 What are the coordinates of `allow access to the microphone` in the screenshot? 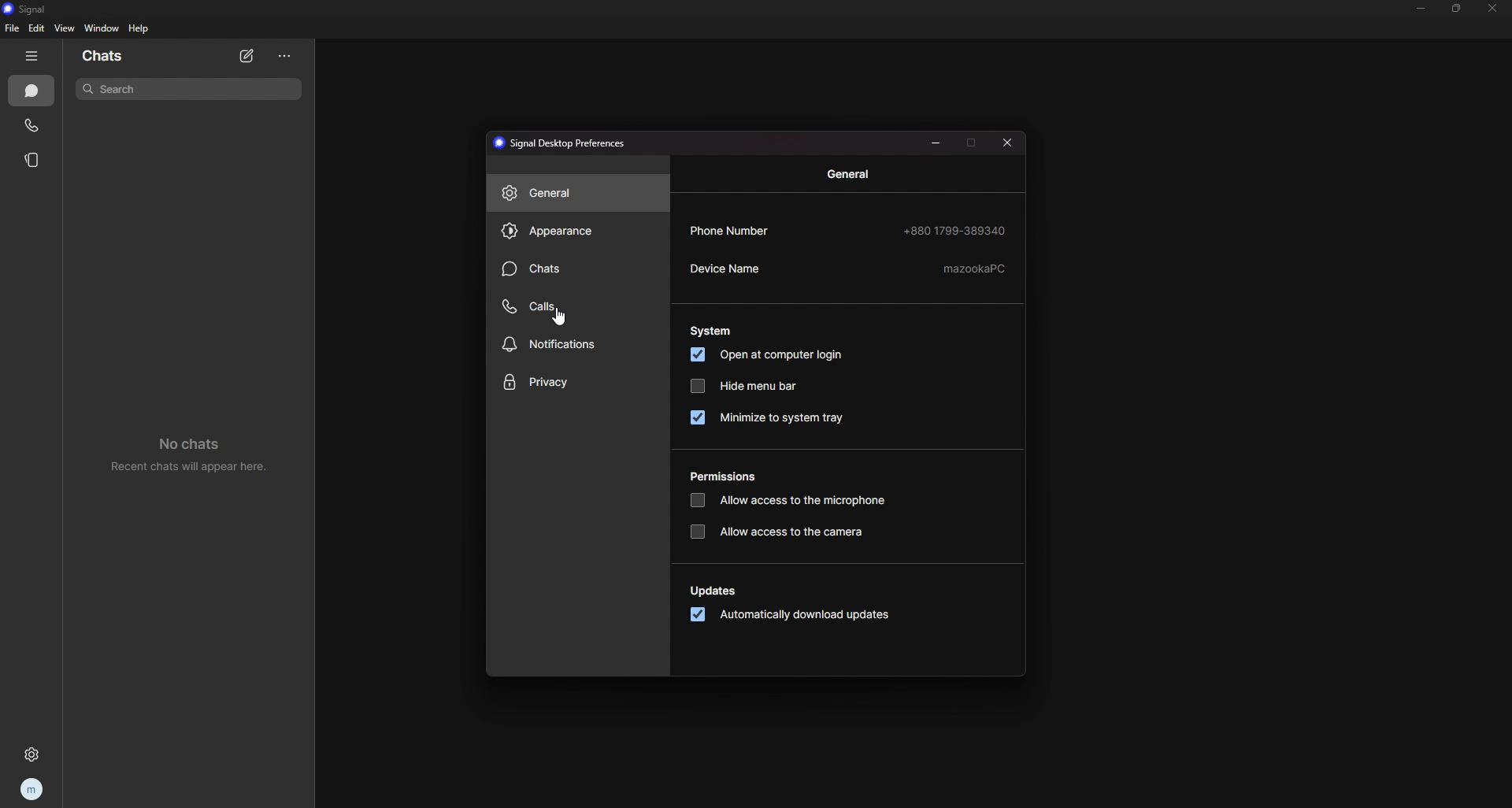 It's located at (787, 500).